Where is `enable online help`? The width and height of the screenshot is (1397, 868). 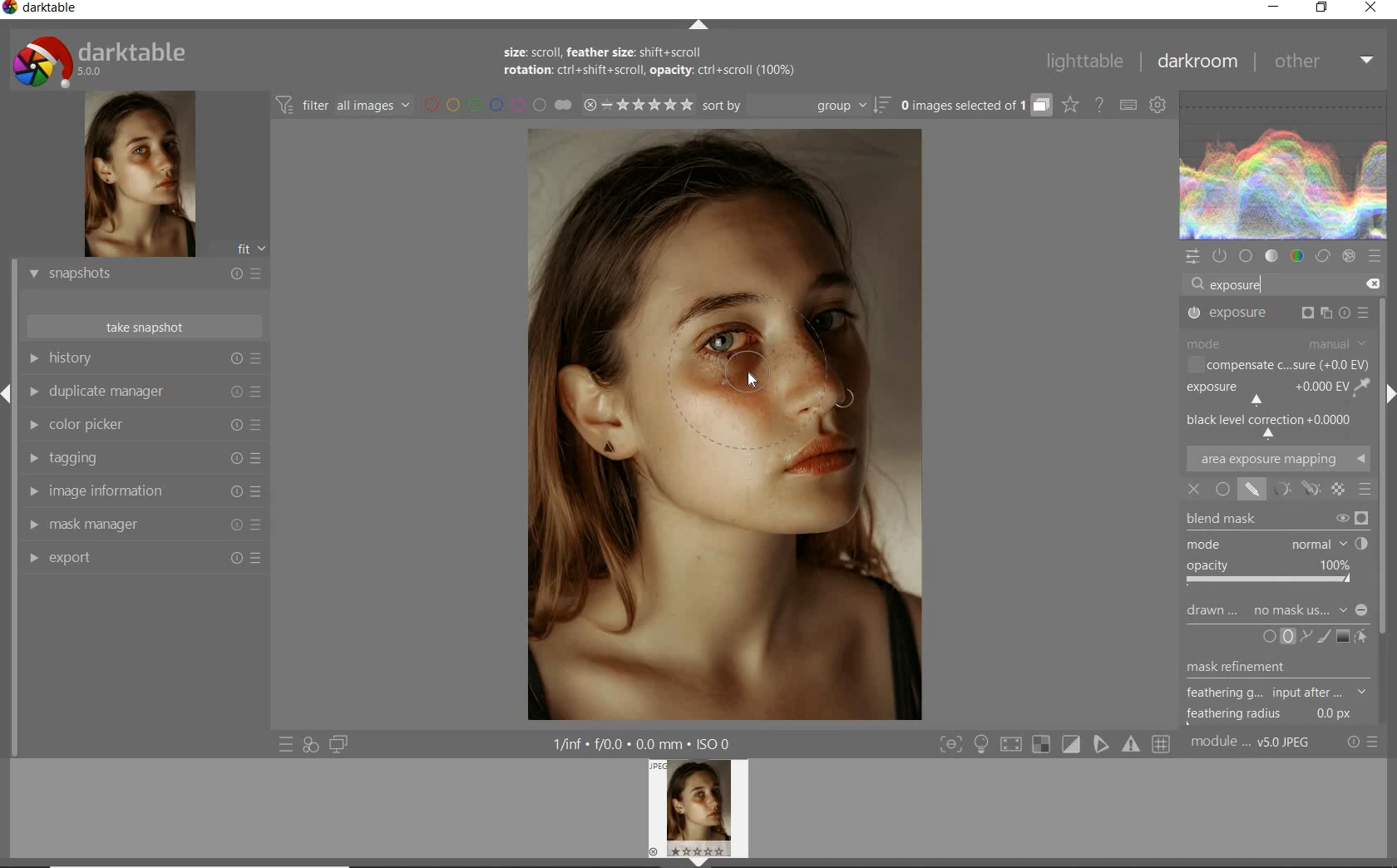 enable online help is located at coordinates (1099, 106).